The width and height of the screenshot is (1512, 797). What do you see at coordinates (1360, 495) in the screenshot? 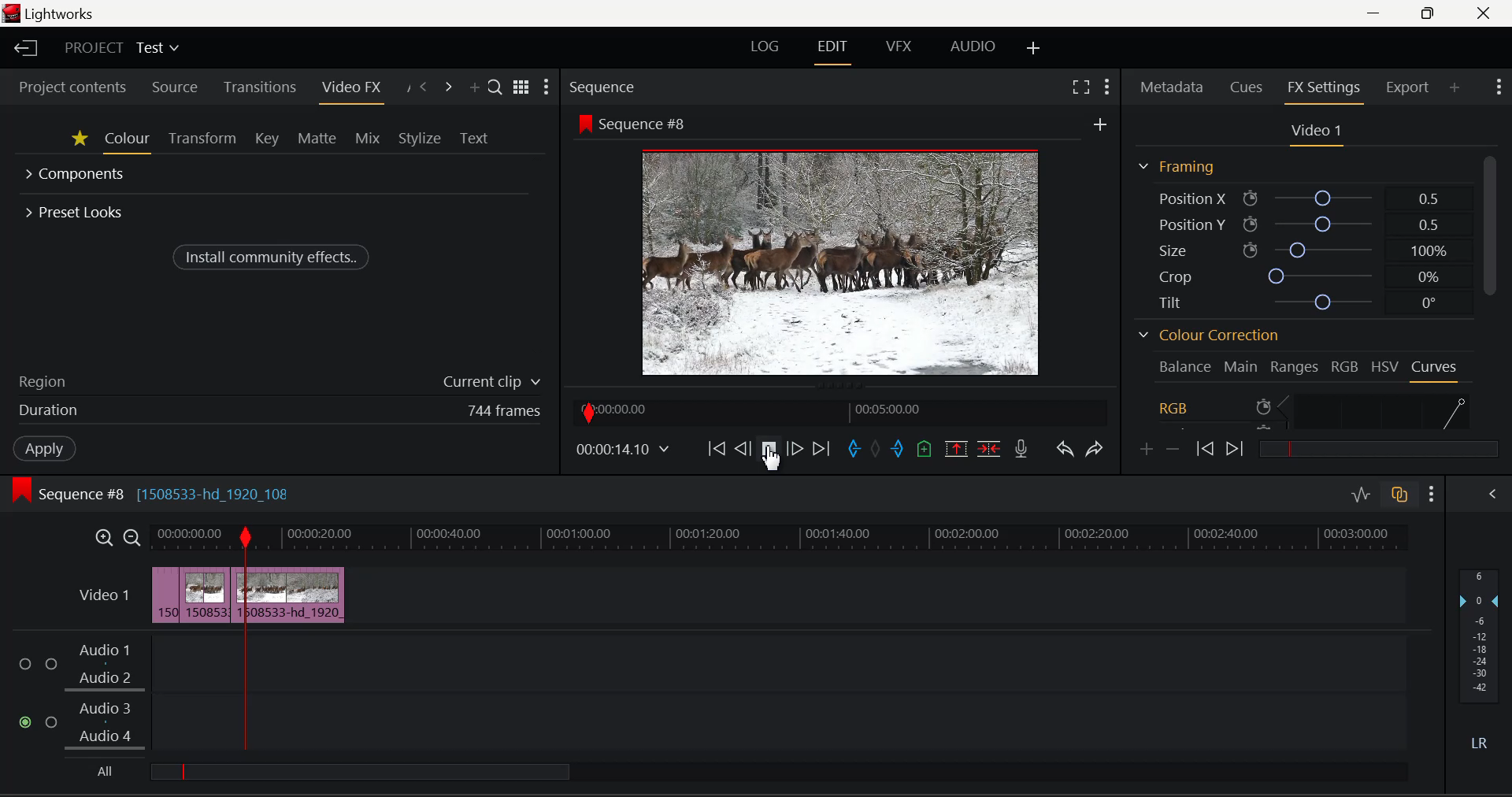
I see `Toggle Audio Levels Editing` at bounding box center [1360, 495].